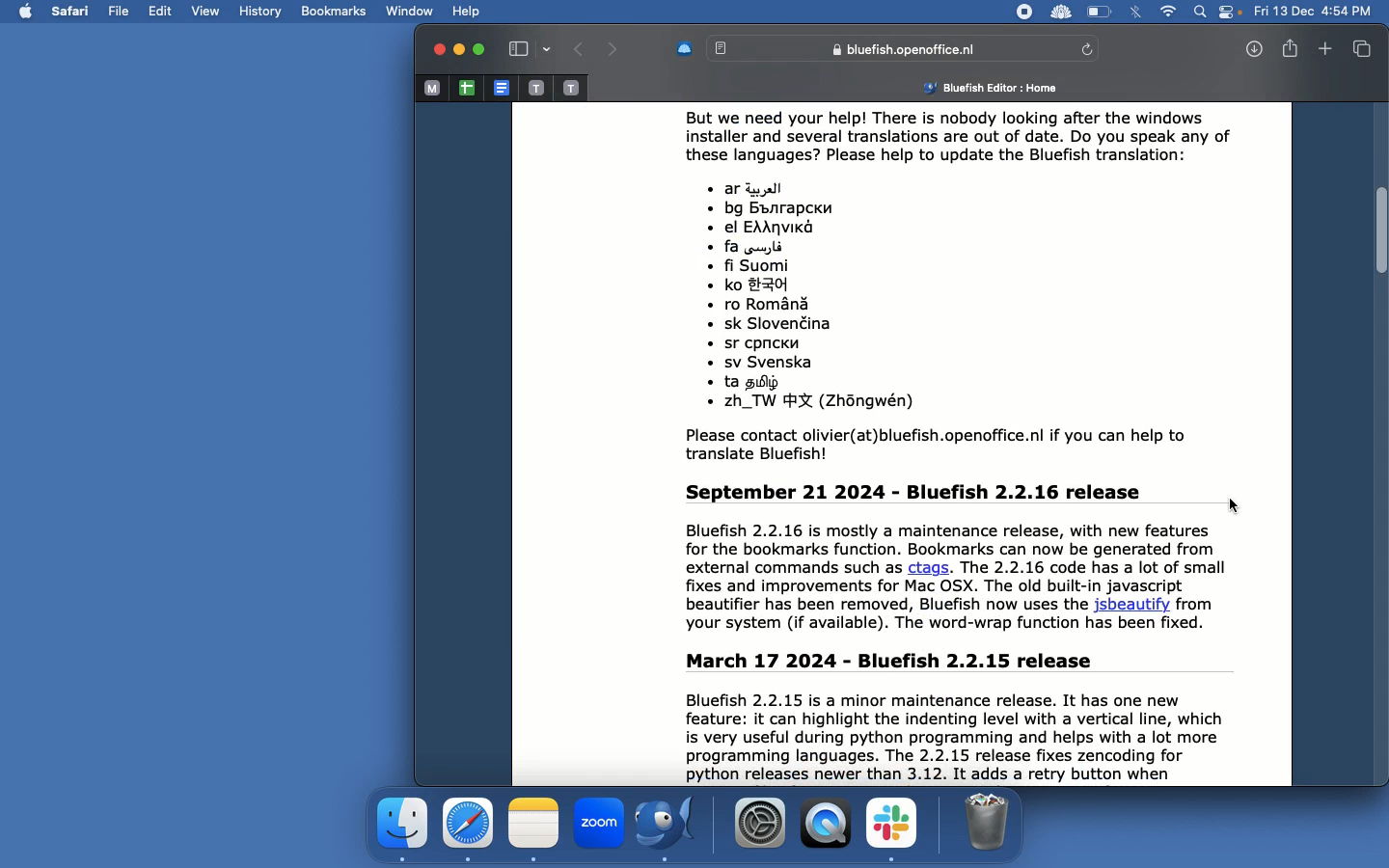 This screenshot has height=868, width=1389. What do you see at coordinates (976, 718) in the screenshot?
I see `Description of March 17 2024 - Bluefish 2.2.15 release` at bounding box center [976, 718].